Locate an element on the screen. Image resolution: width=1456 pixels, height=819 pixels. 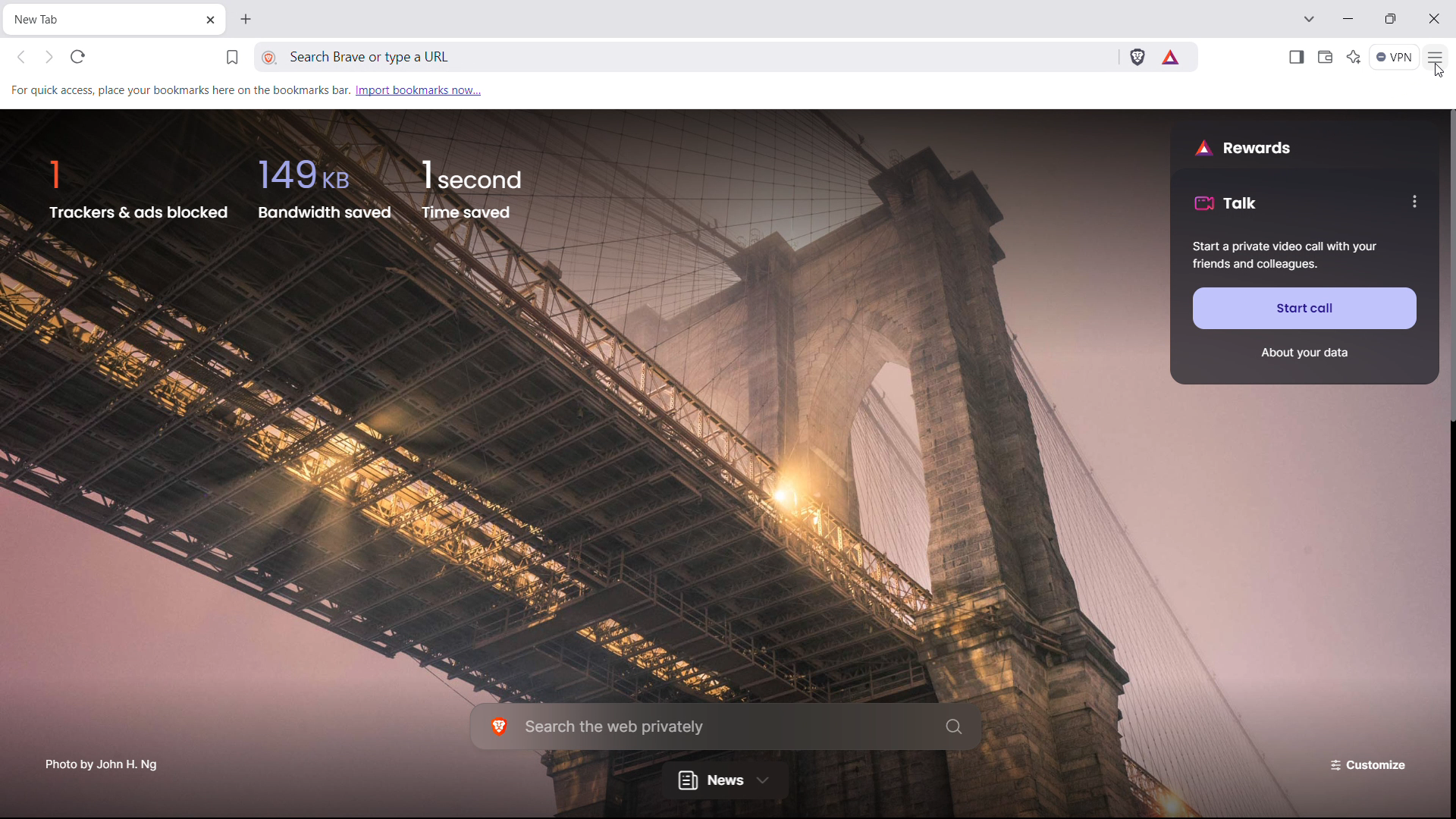
For quick access, place your bookmarks here on the bookmarks bar is located at coordinates (180, 93).